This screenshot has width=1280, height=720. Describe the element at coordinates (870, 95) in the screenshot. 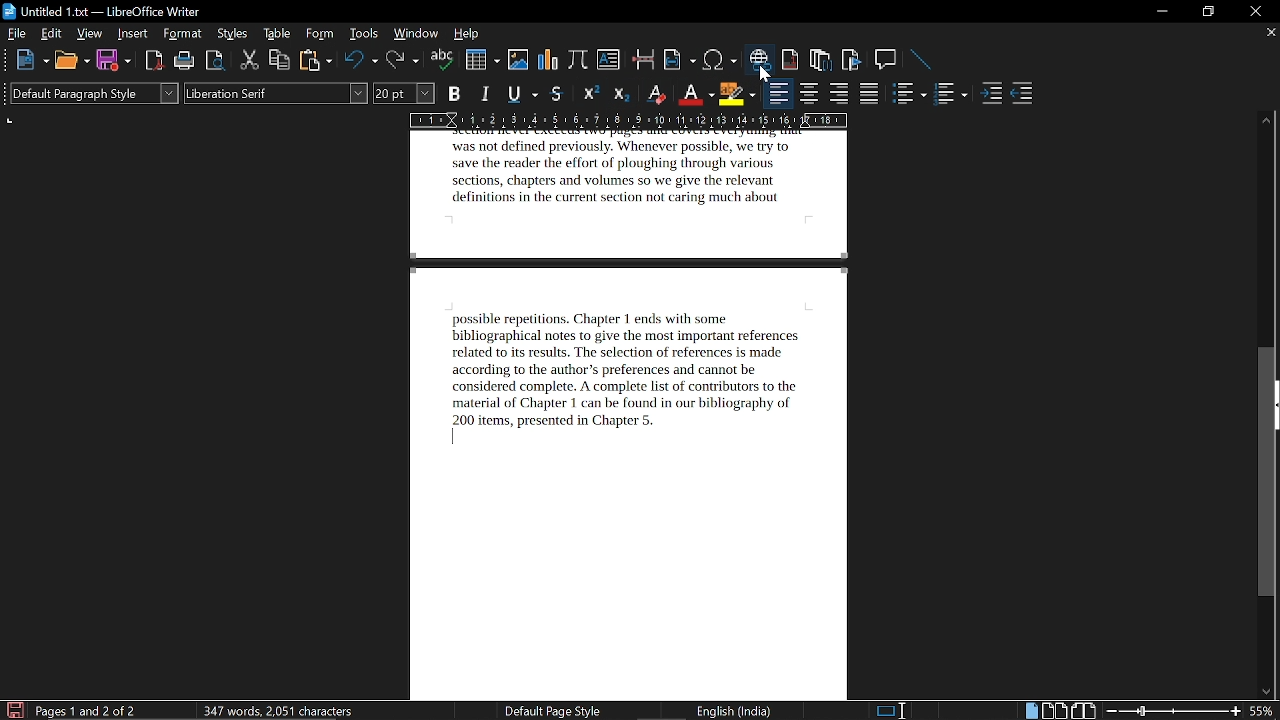

I see `justified` at that location.